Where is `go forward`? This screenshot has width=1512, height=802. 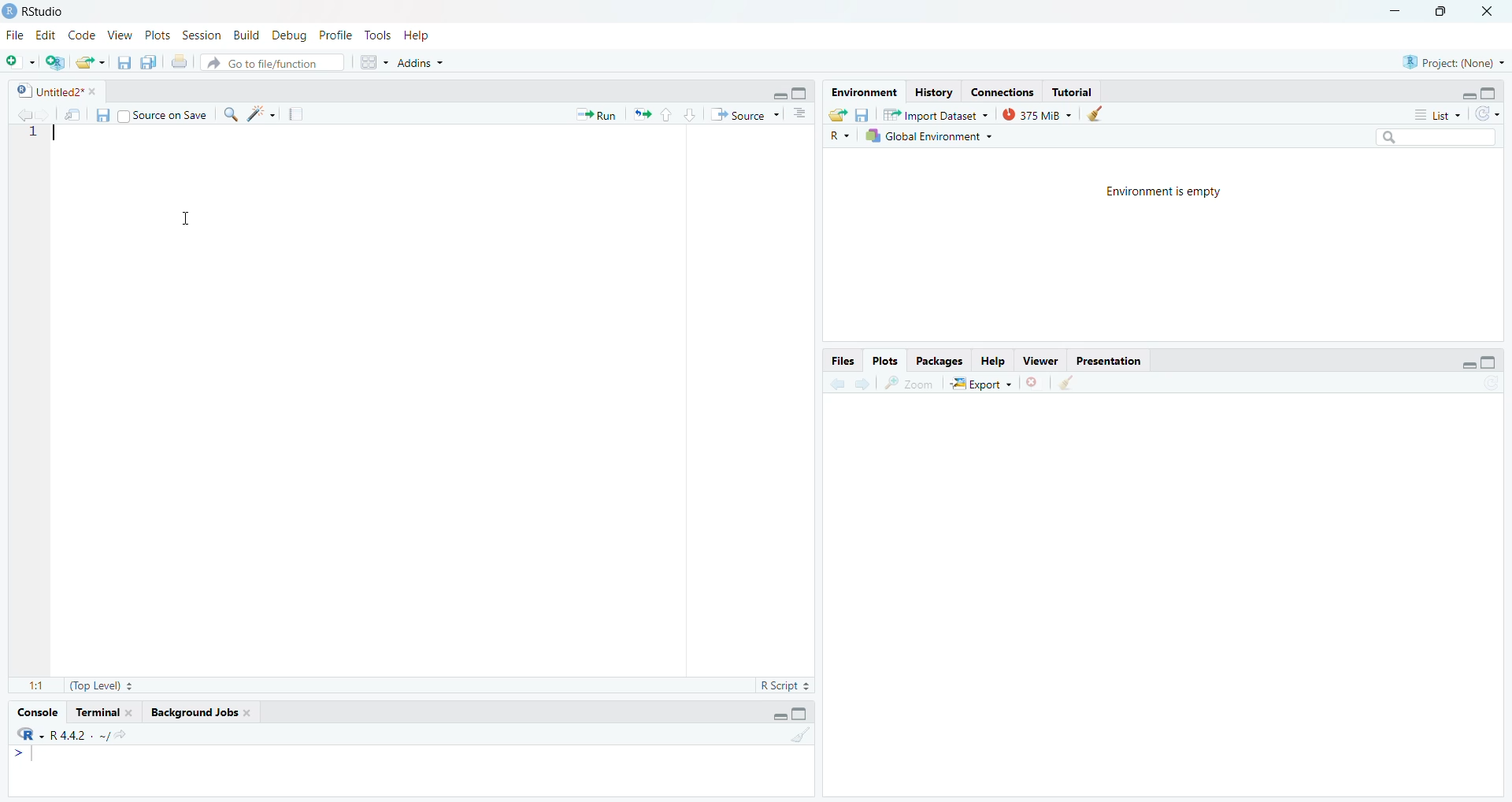 go forward is located at coordinates (864, 384).